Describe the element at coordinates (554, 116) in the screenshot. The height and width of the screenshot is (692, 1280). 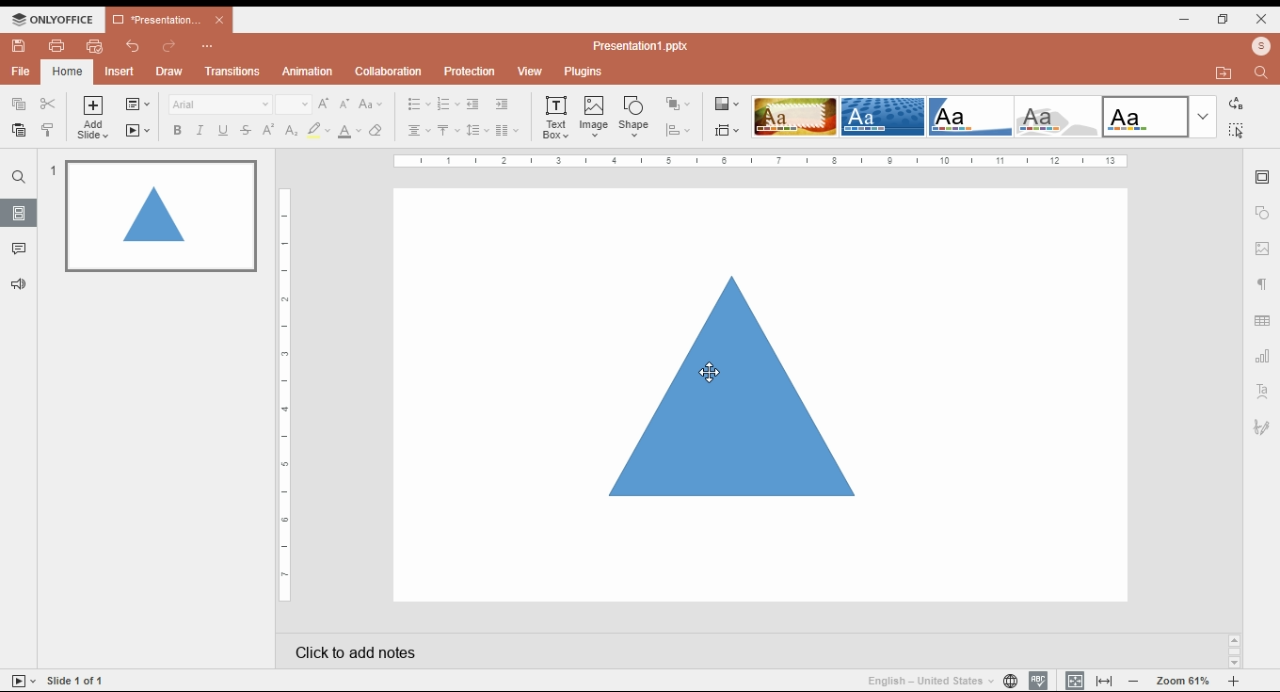
I see `text box` at that location.